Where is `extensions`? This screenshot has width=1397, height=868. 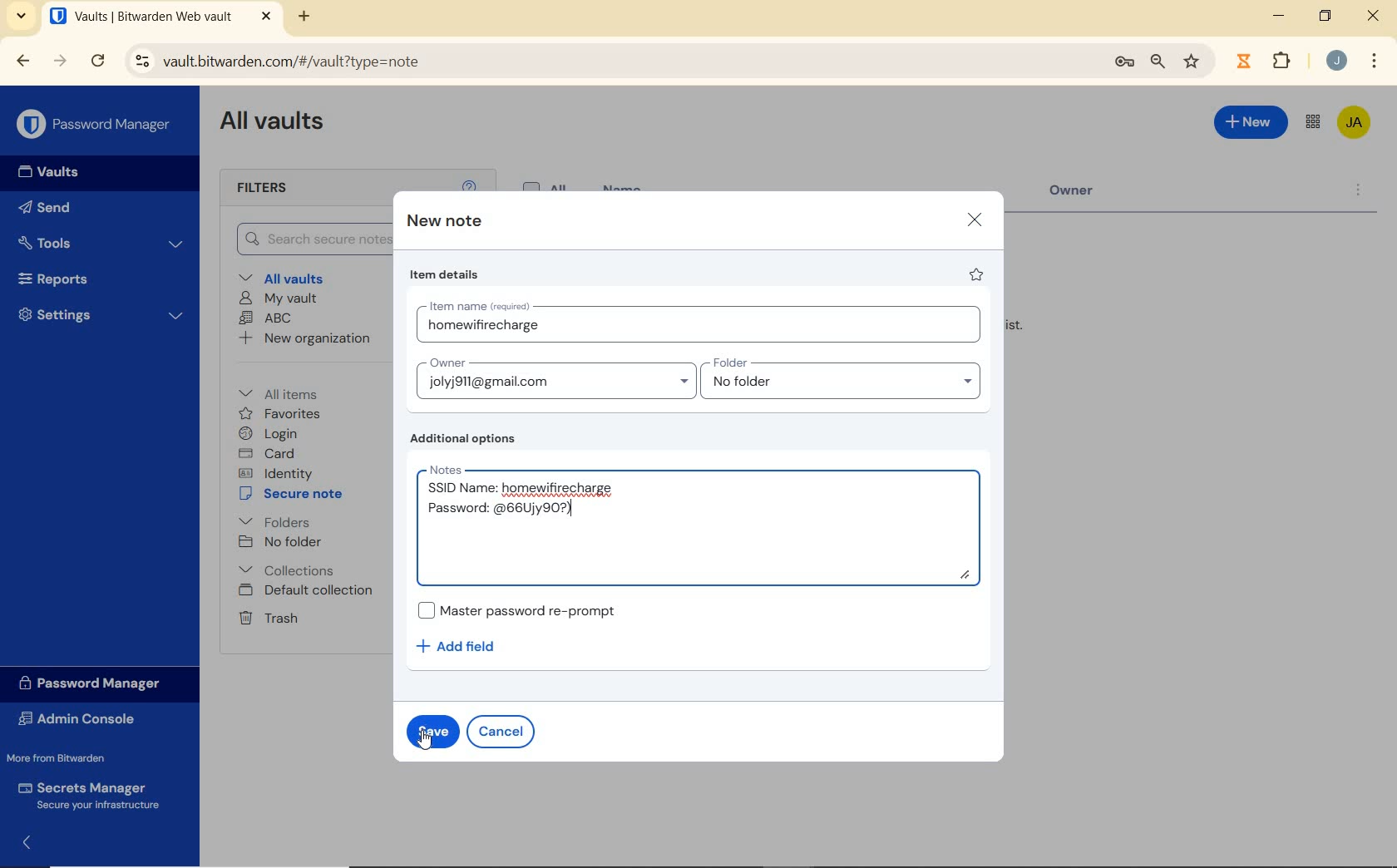 extensions is located at coordinates (1242, 62).